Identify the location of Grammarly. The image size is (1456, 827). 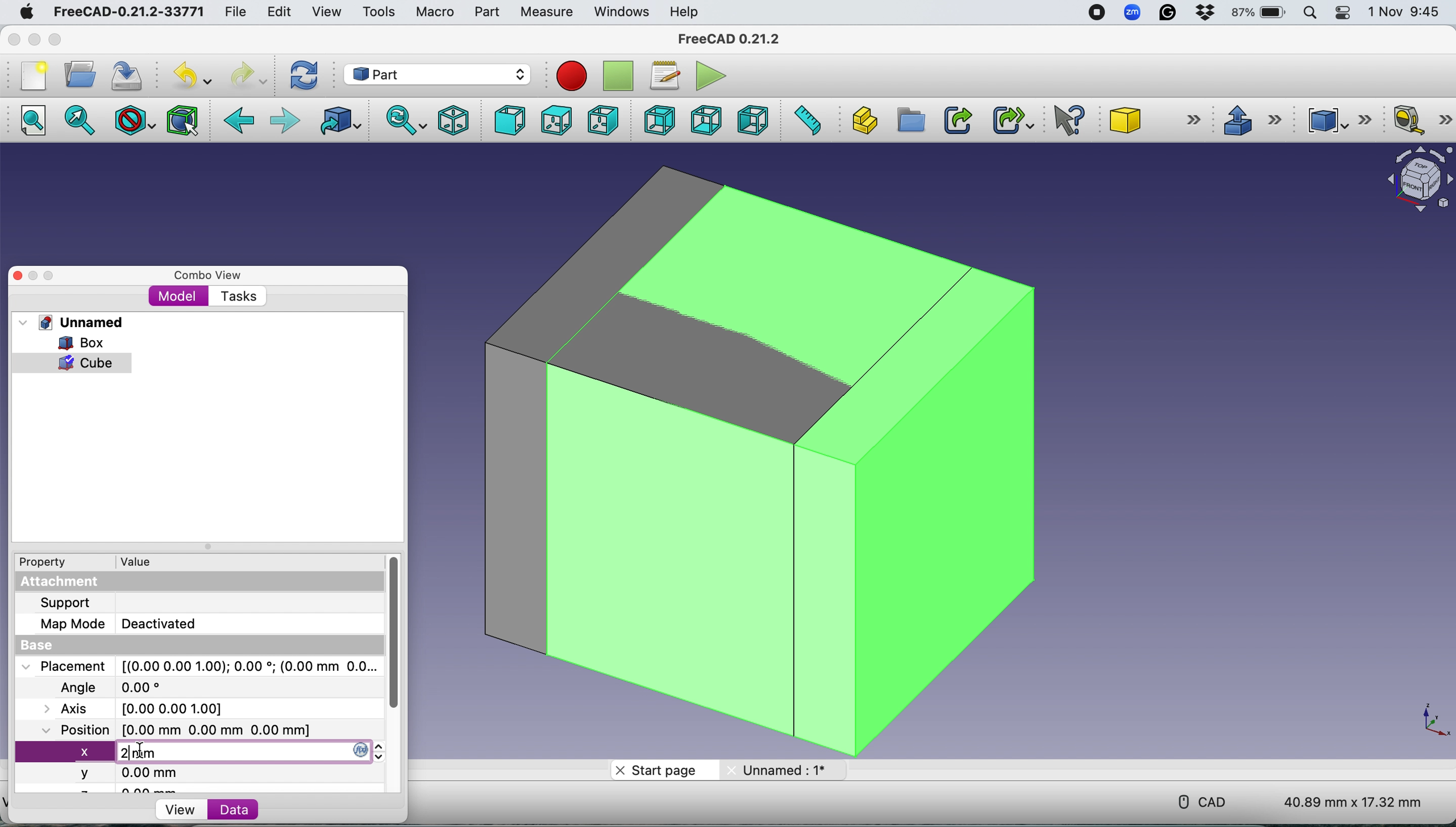
(1169, 12).